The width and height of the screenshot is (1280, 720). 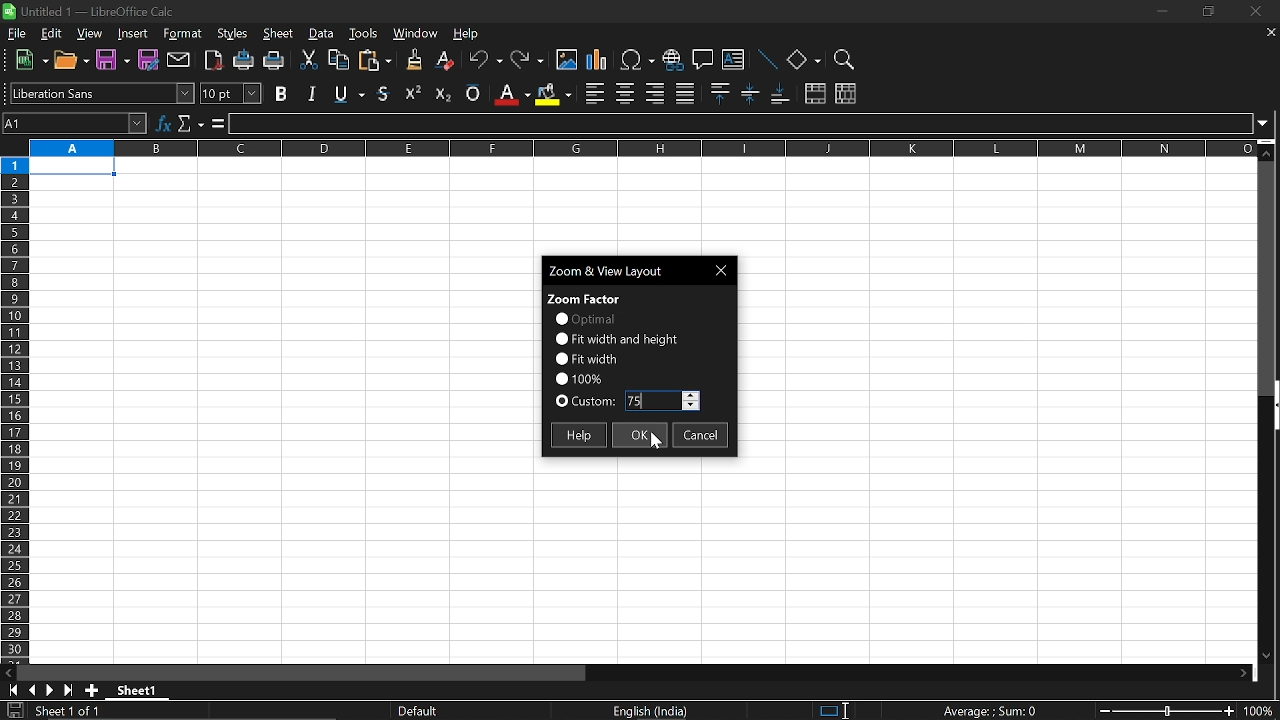 I want to click on restore down, so click(x=1206, y=13).